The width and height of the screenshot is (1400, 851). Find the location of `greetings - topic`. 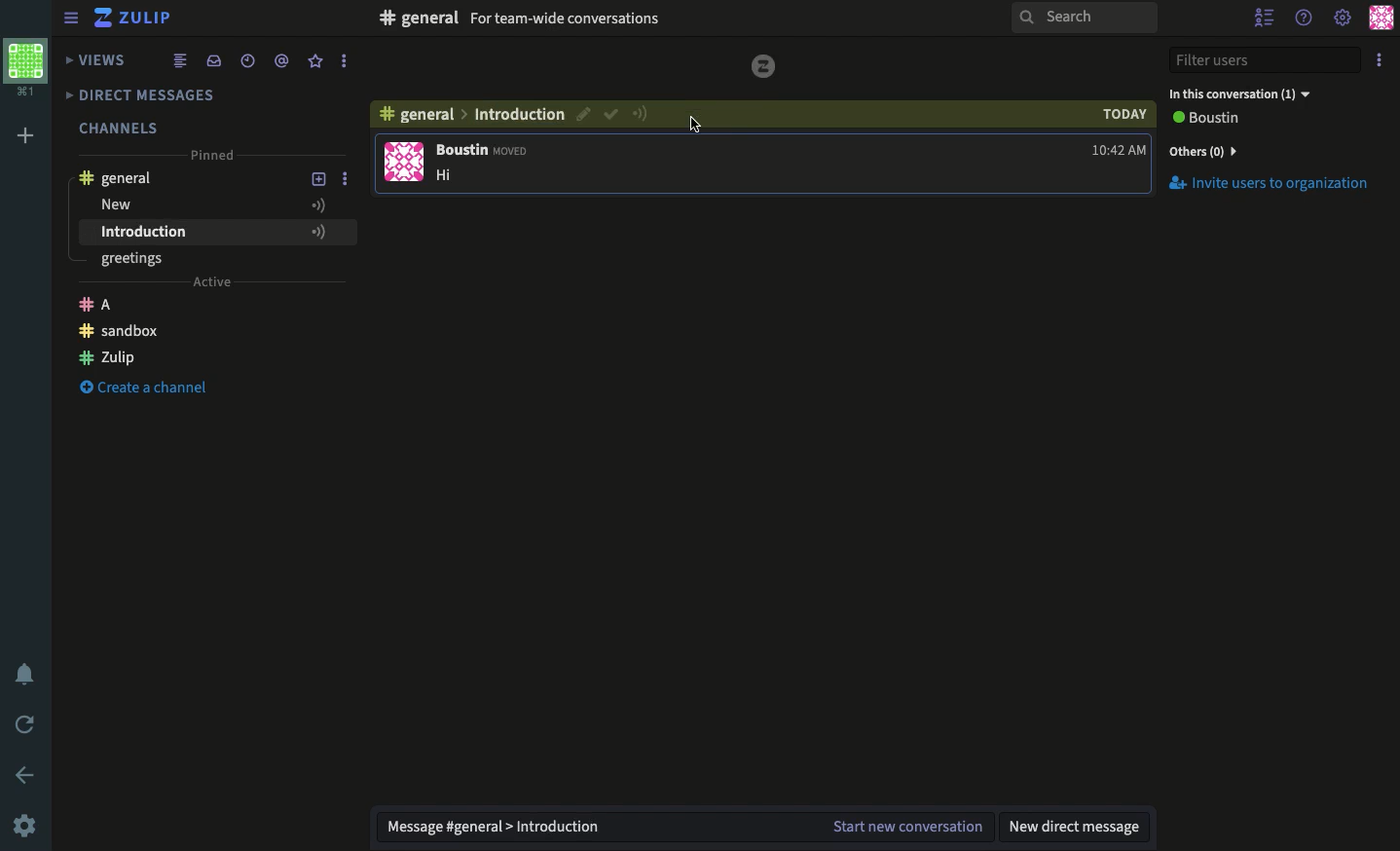

greetings - topic is located at coordinates (141, 261).